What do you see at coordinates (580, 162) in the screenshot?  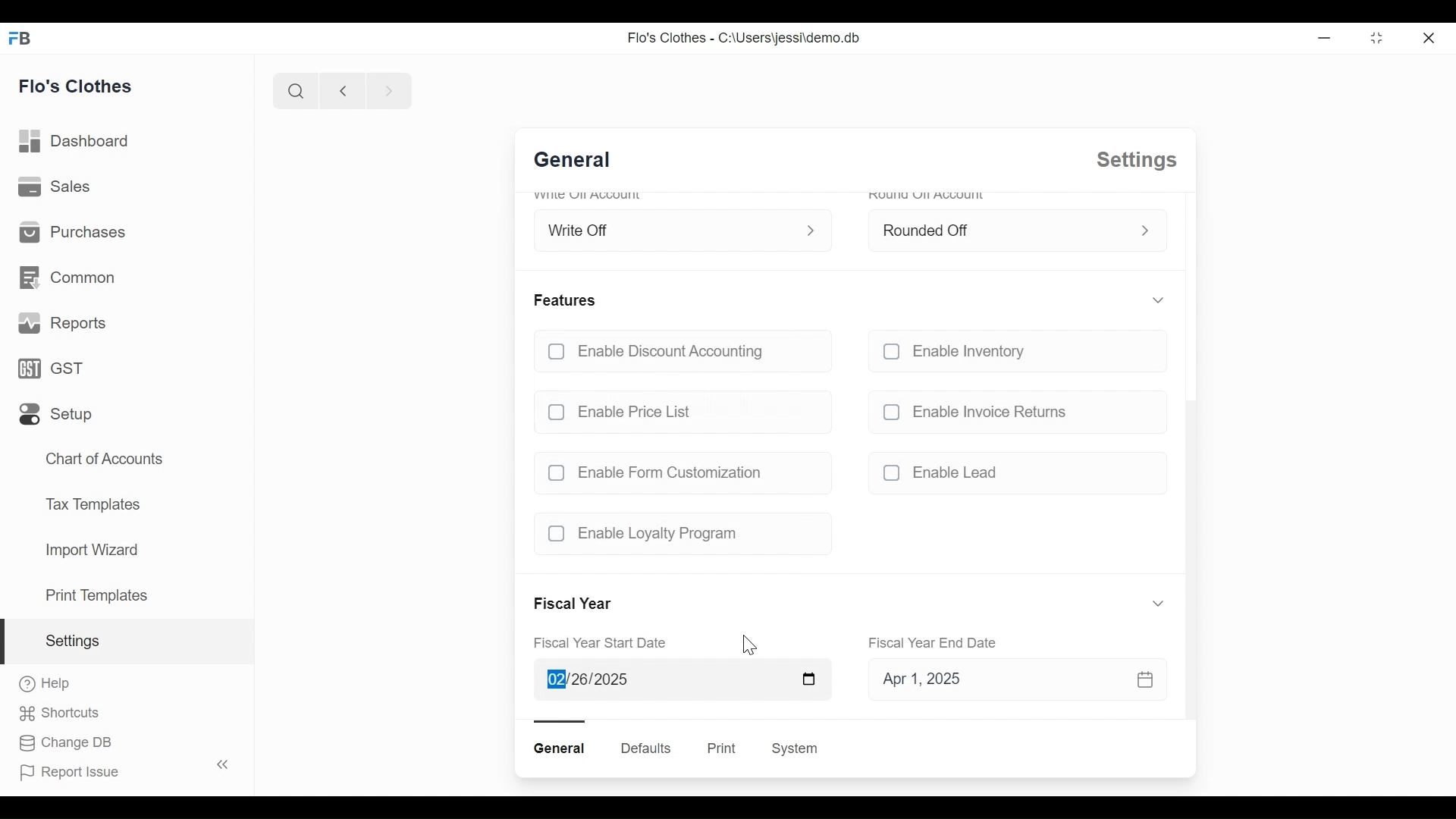 I see `General` at bounding box center [580, 162].